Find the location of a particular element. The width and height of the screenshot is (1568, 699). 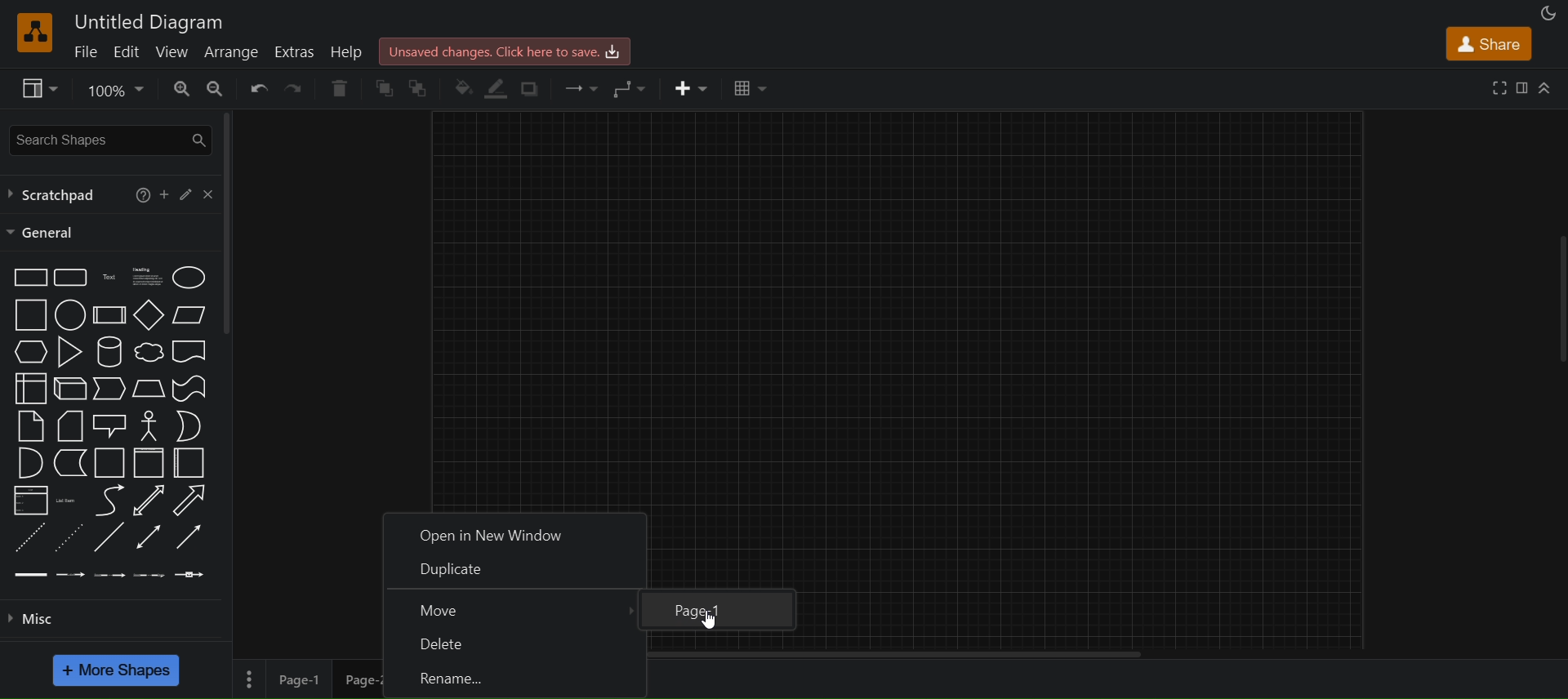

parallelogram is located at coordinates (190, 314).